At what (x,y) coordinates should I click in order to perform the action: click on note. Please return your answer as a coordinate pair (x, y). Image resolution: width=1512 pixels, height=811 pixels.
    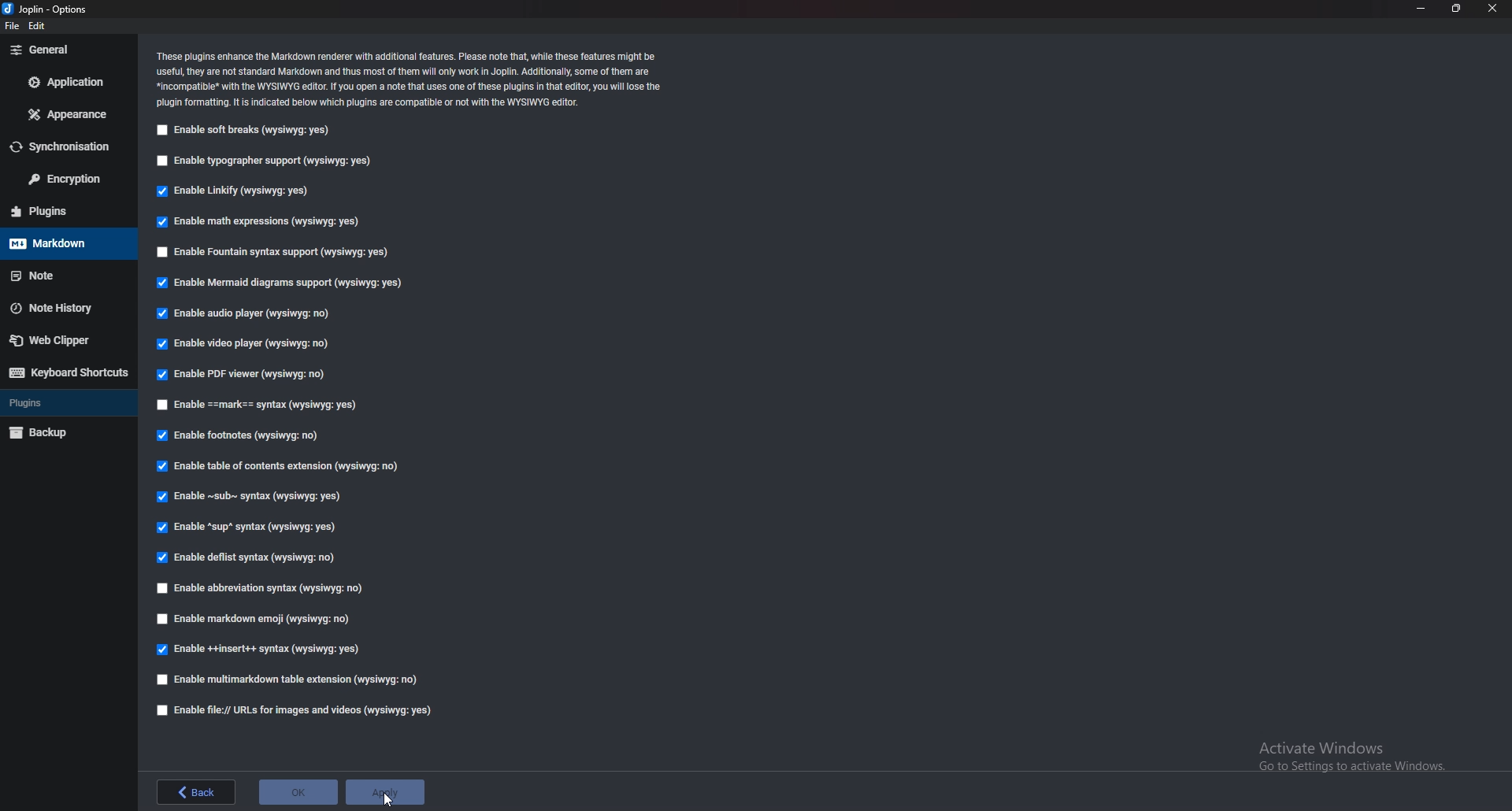
    Looking at the image, I should click on (62, 276).